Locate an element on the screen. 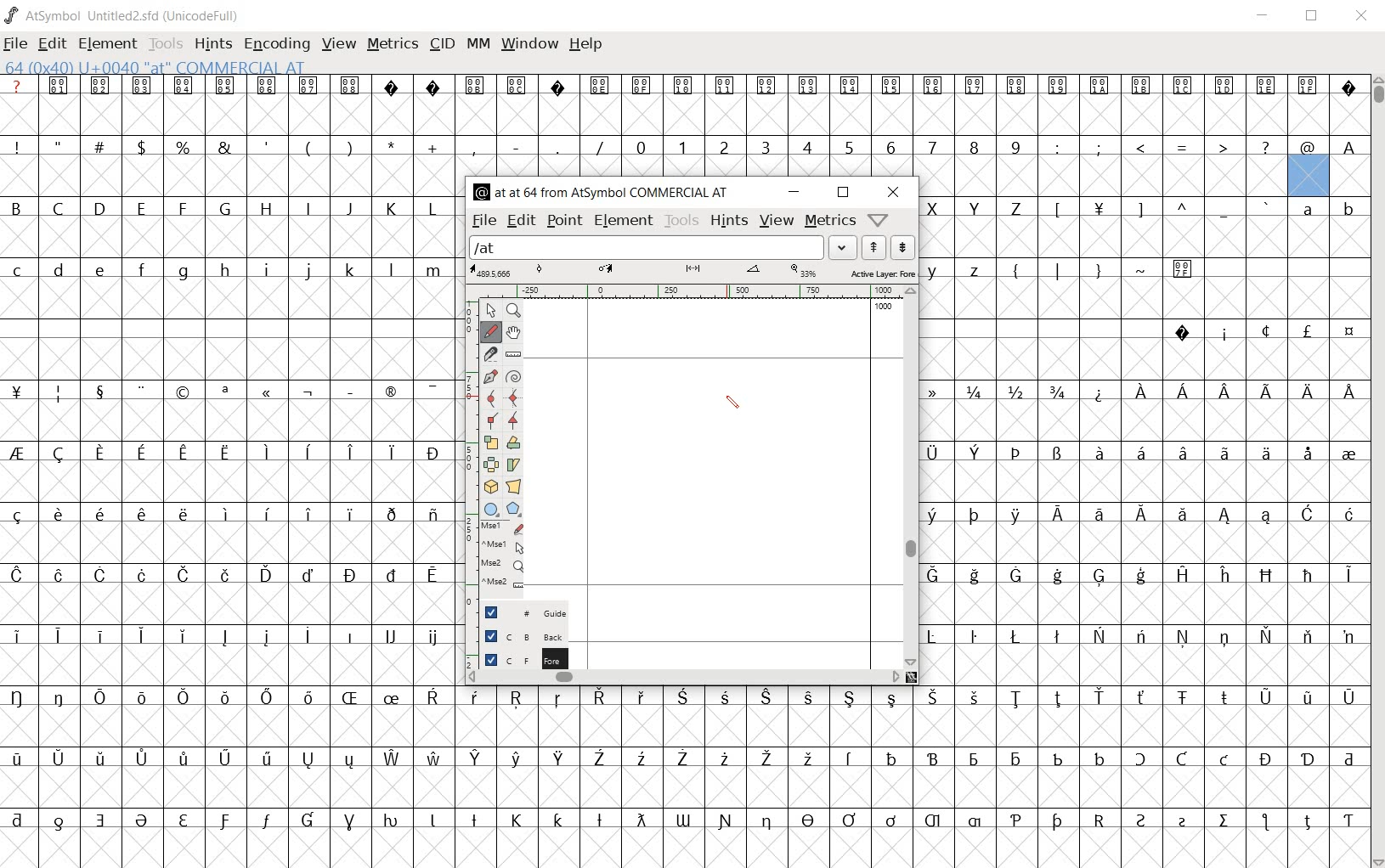 The image size is (1385, 868). HINTS is located at coordinates (212, 45).